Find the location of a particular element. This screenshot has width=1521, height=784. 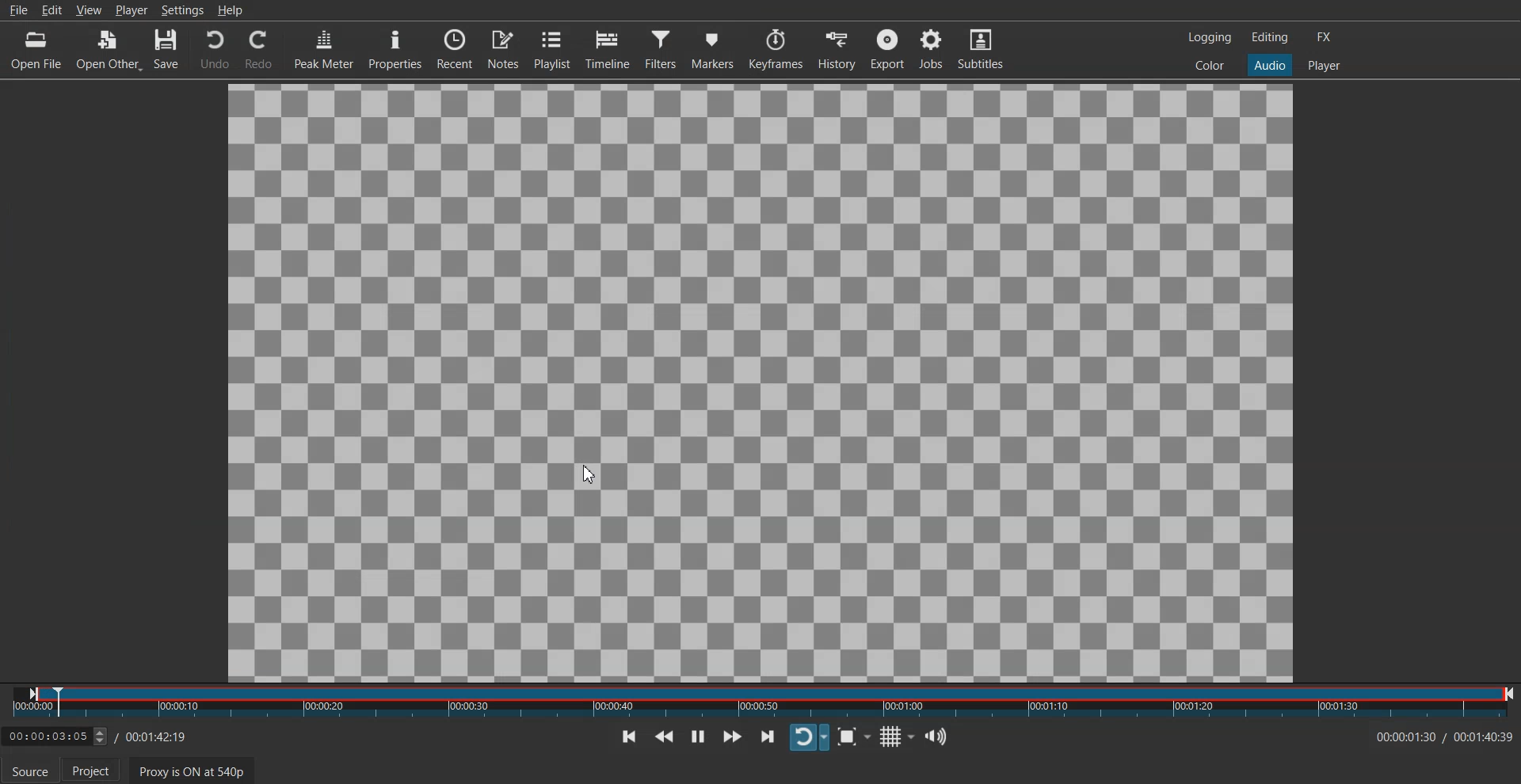

Jobs is located at coordinates (932, 49).